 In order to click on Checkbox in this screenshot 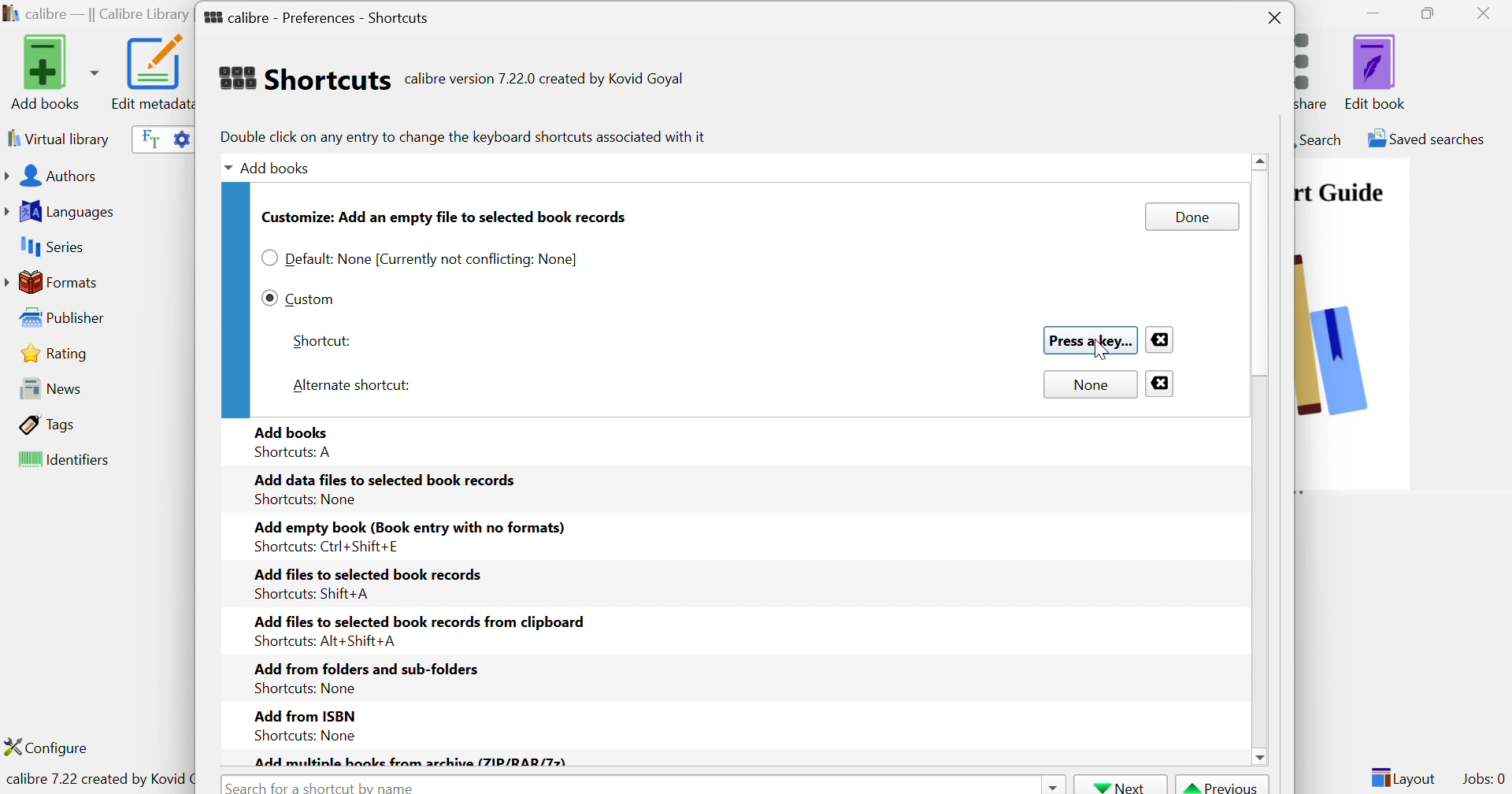, I will do `click(269, 258)`.